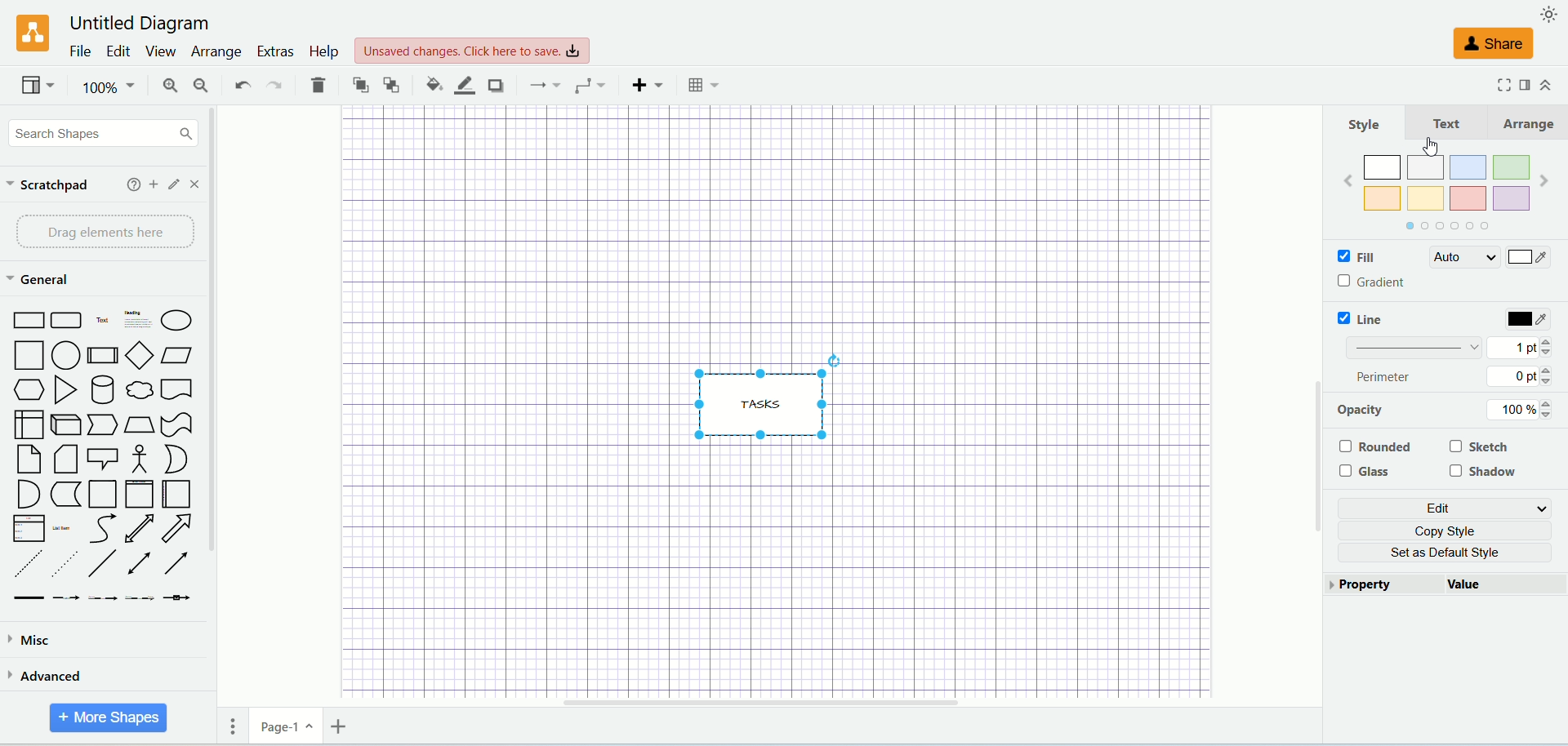 The width and height of the screenshot is (1568, 746). What do you see at coordinates (103, 458) in the screenshot?
I see `Callout` at bounding box center [103, 458].